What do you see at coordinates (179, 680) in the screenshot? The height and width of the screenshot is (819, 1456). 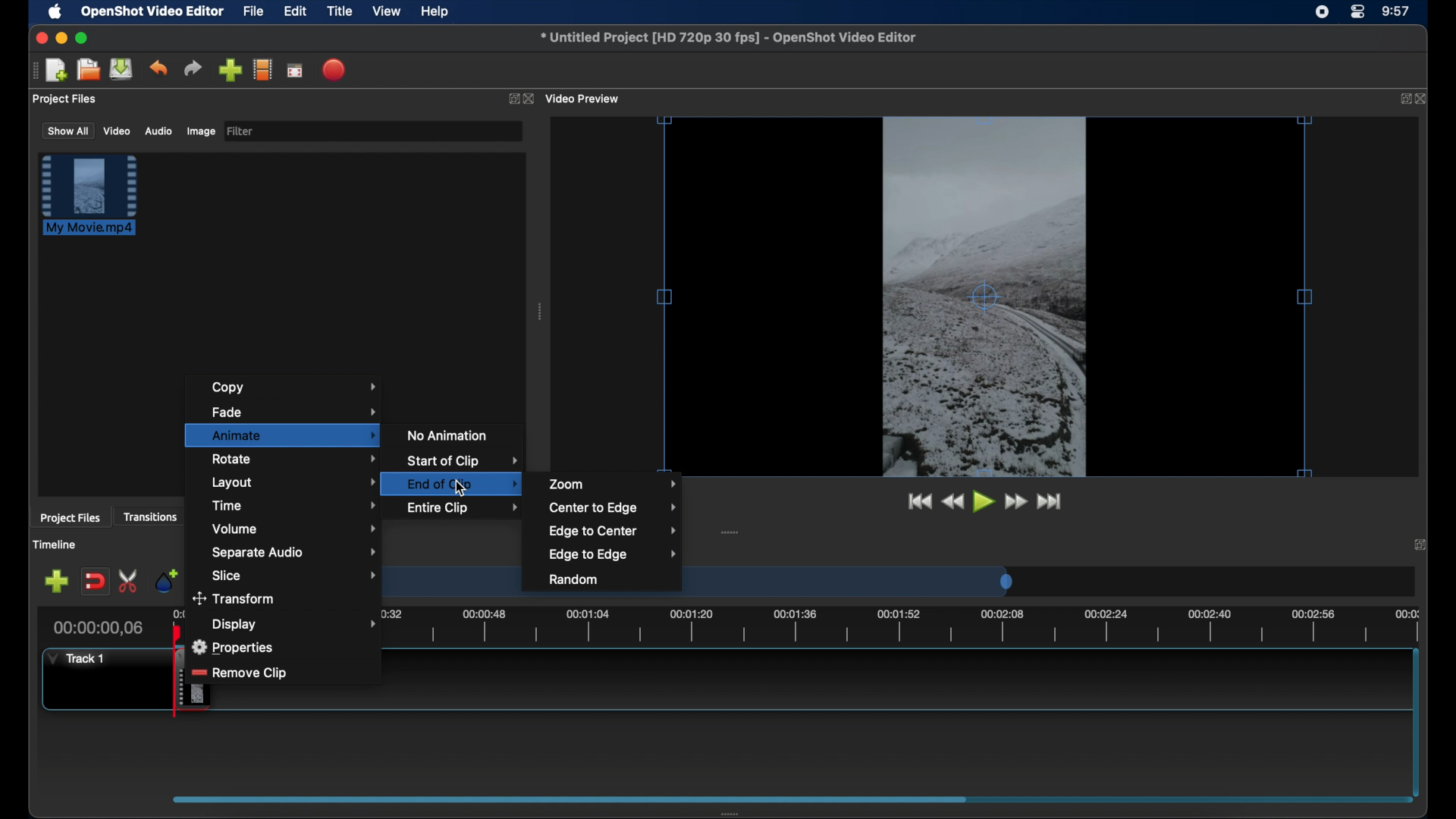 I see `drag cursor` at bounding box center [179, 680].